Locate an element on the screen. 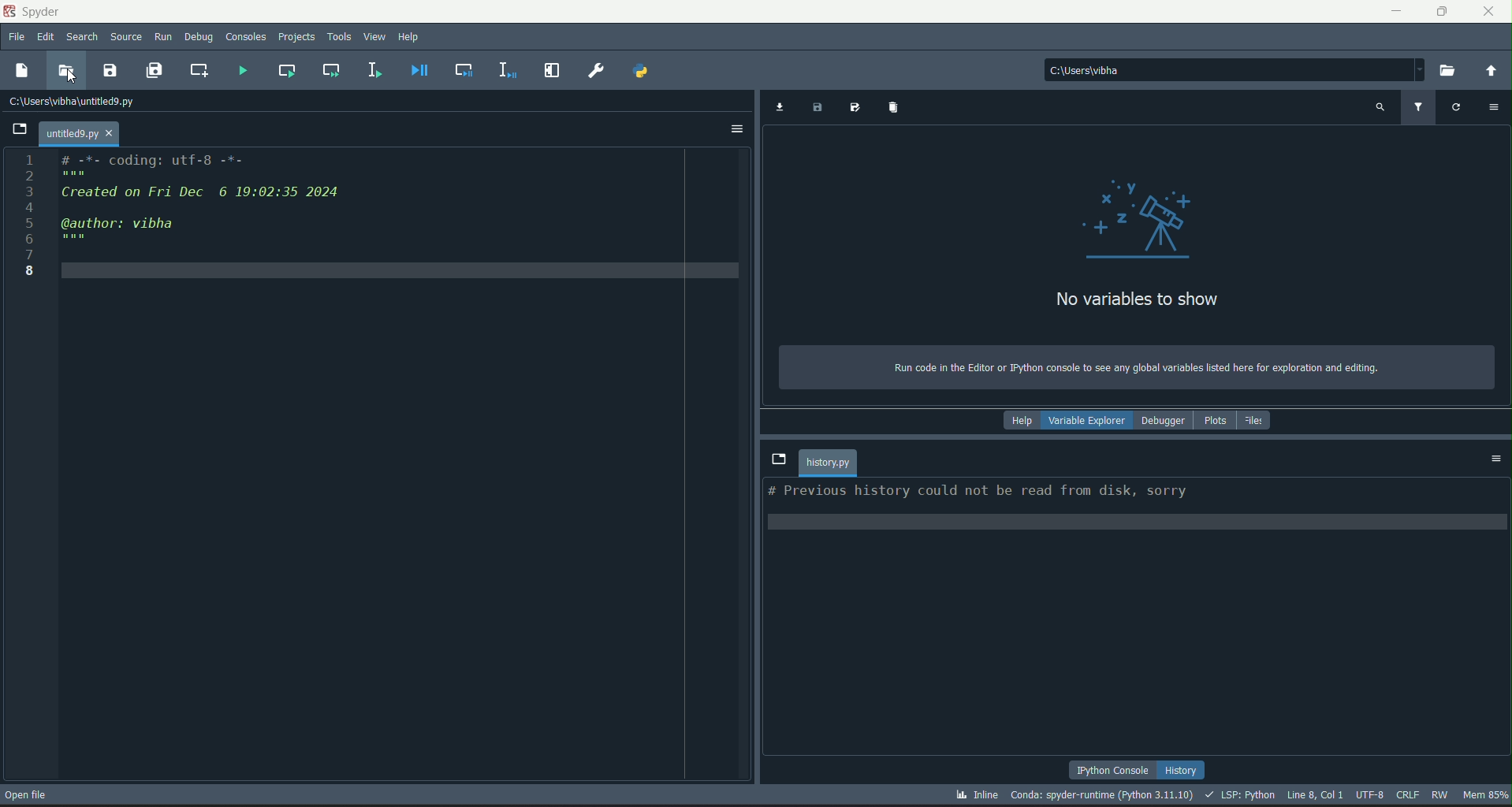 The image size is (1512, 807). edit is located at coordinates (47, 38).